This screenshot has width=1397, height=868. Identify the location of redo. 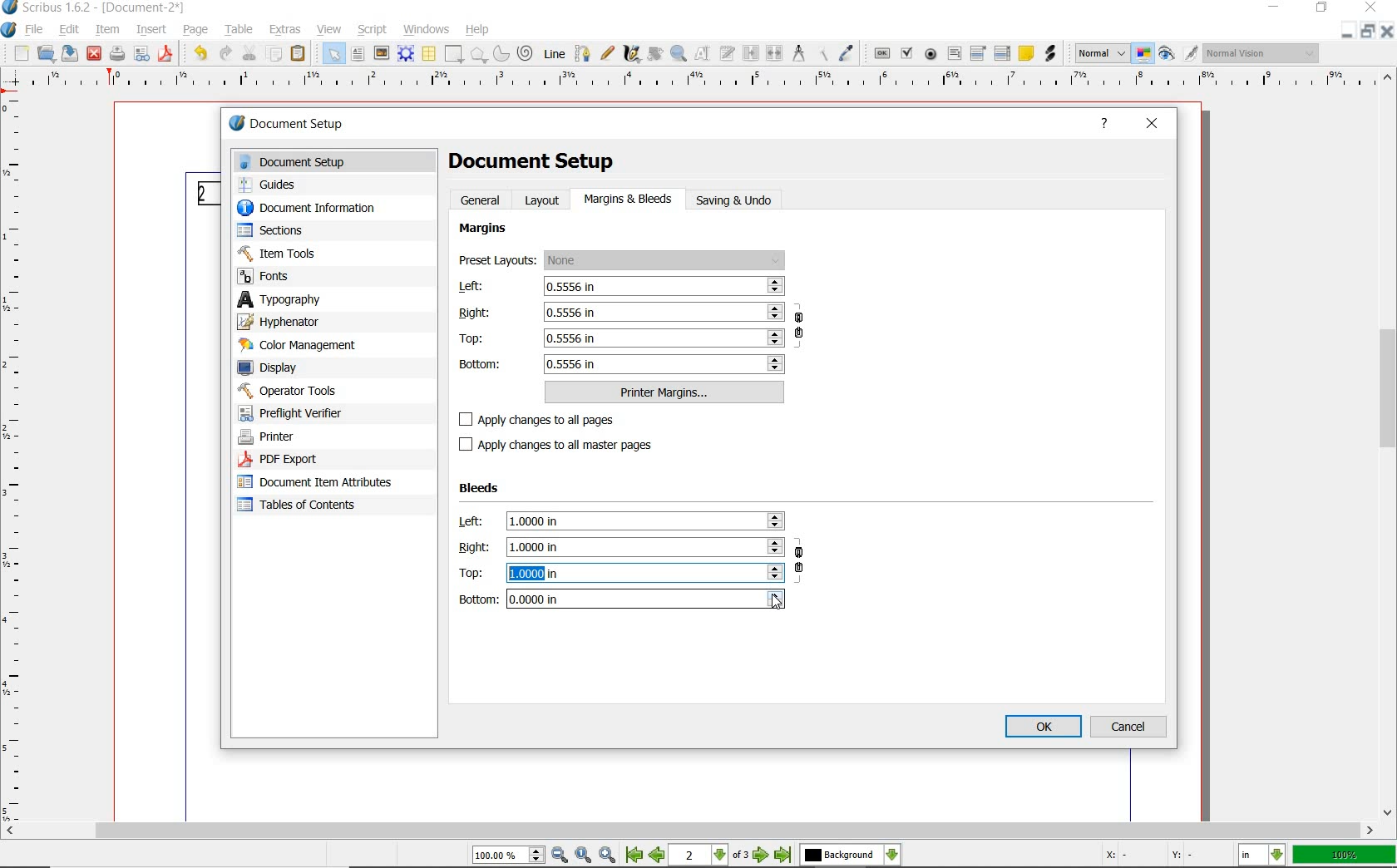
(224, 53).